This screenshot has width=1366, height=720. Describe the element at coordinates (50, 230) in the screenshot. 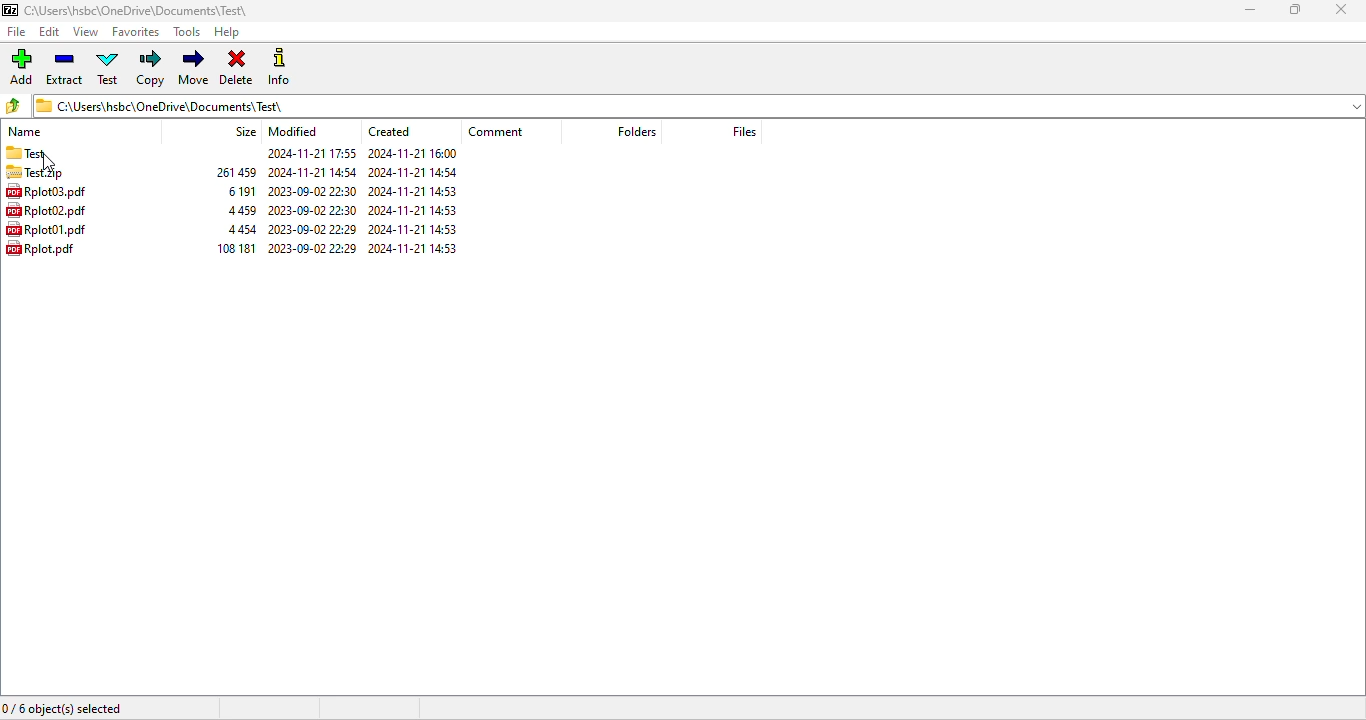

I see `@E Rplot01.pdf` at that location.